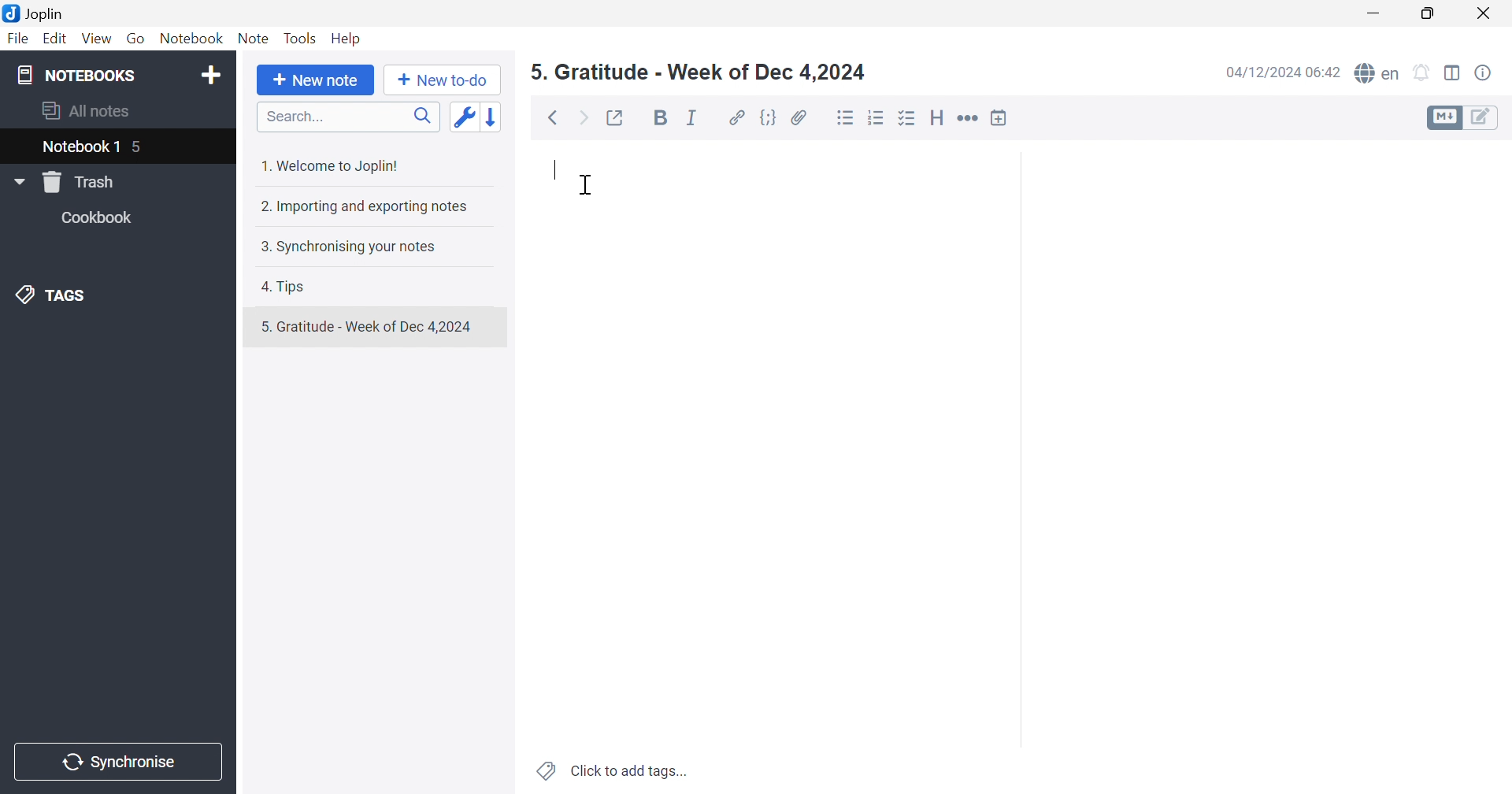 The width and height of the screenshot is (1512, 794). Describe the element at coordinates (1466, 119) in the screenshot. I see `Toggle editors` at that location.